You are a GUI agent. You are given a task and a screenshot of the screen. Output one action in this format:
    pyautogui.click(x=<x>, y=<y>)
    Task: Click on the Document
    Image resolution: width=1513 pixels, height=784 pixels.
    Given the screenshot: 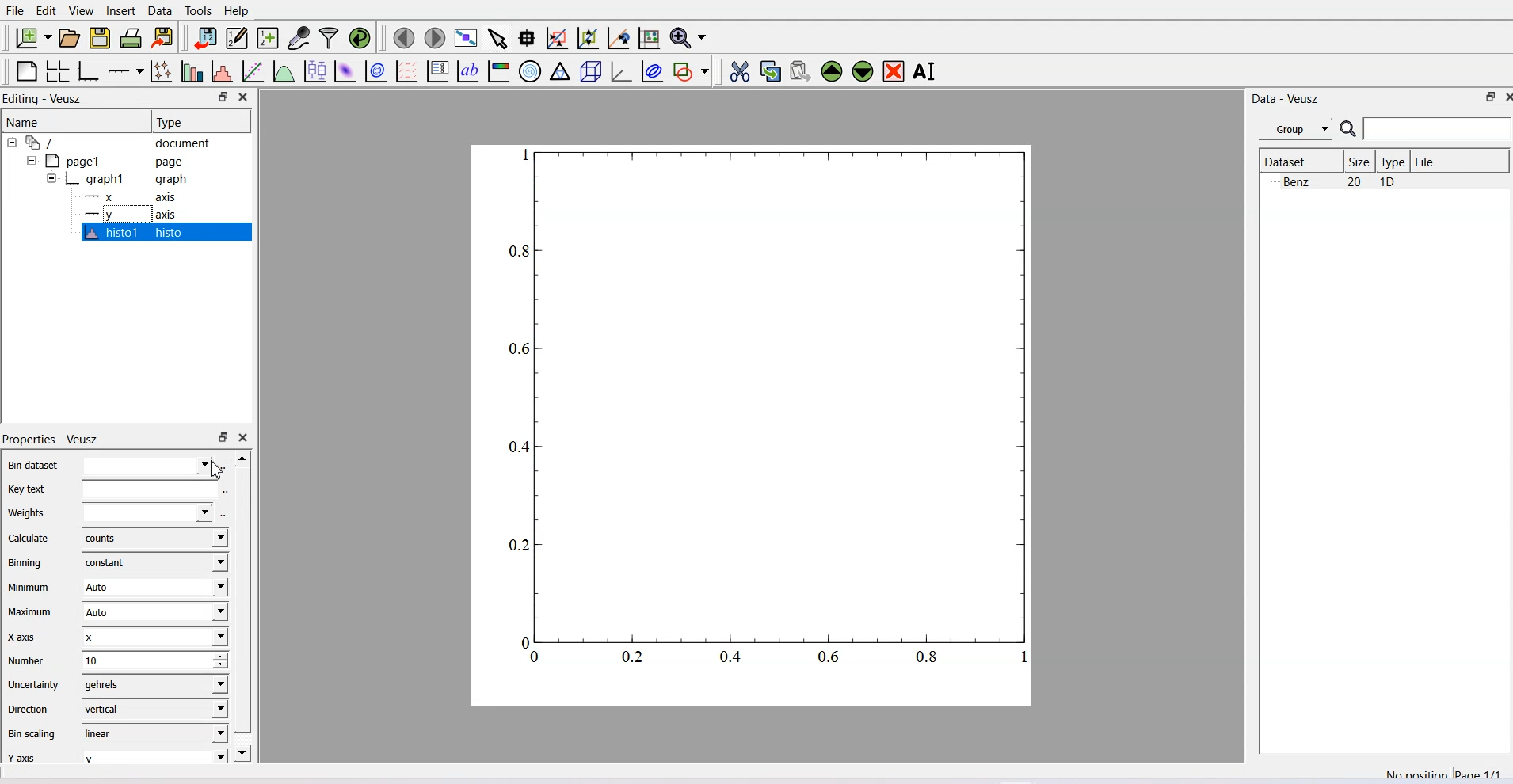 What is the action you would take?
    pyautogui.click(x=119, y=142)
    